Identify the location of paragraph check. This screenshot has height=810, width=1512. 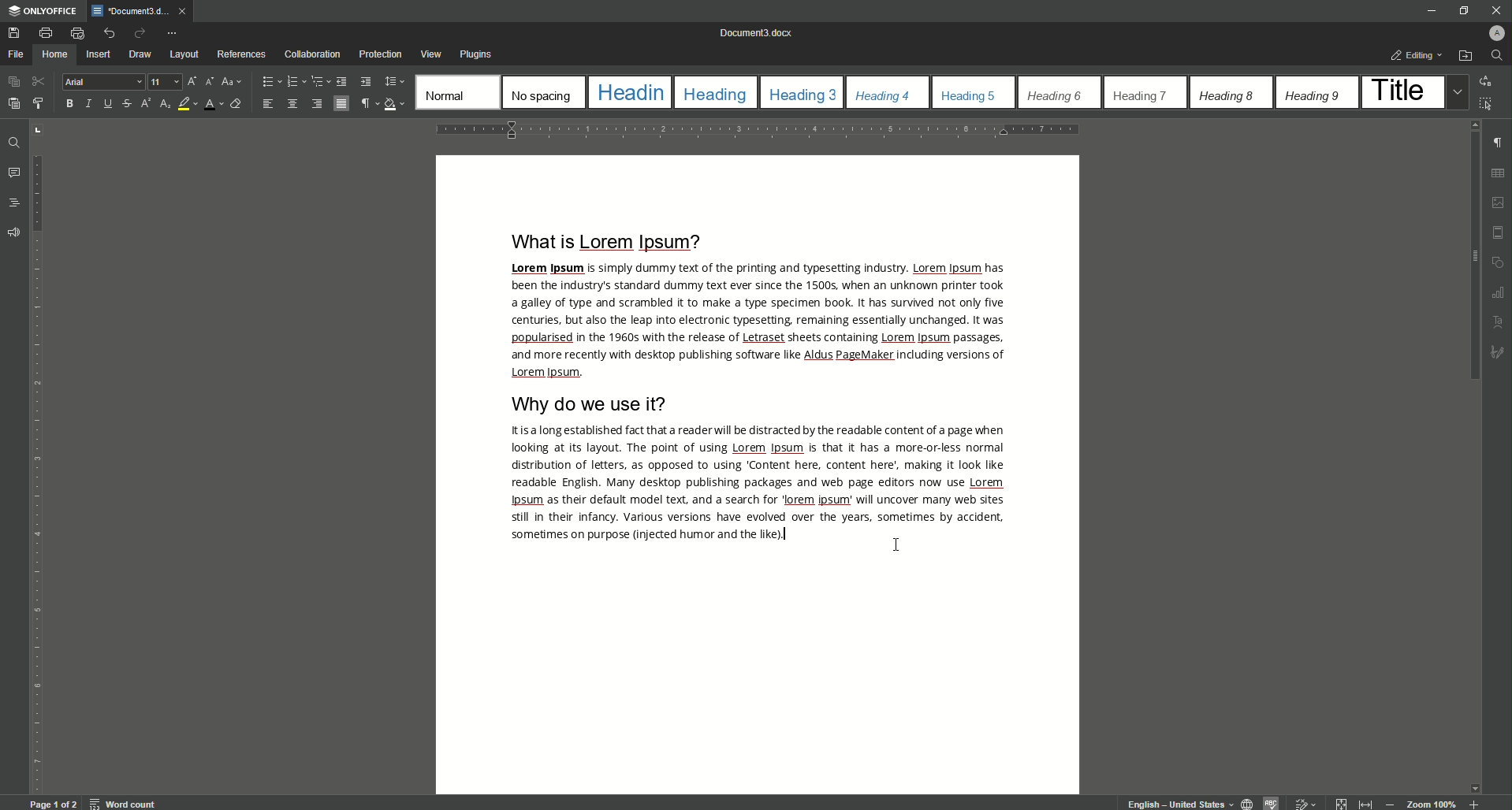
(1502, 139).